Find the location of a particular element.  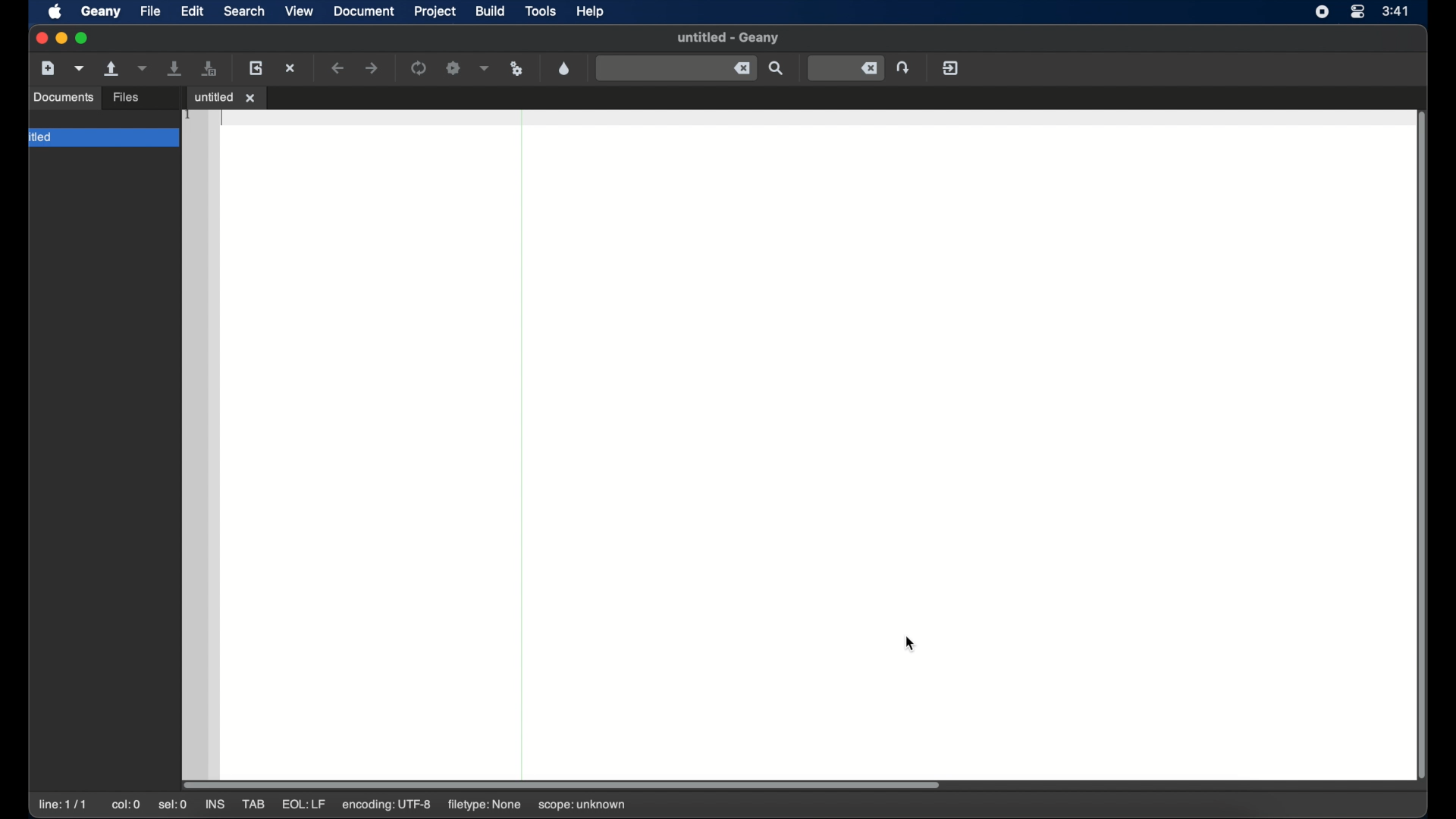

divider is located at coordinates (522, 438).